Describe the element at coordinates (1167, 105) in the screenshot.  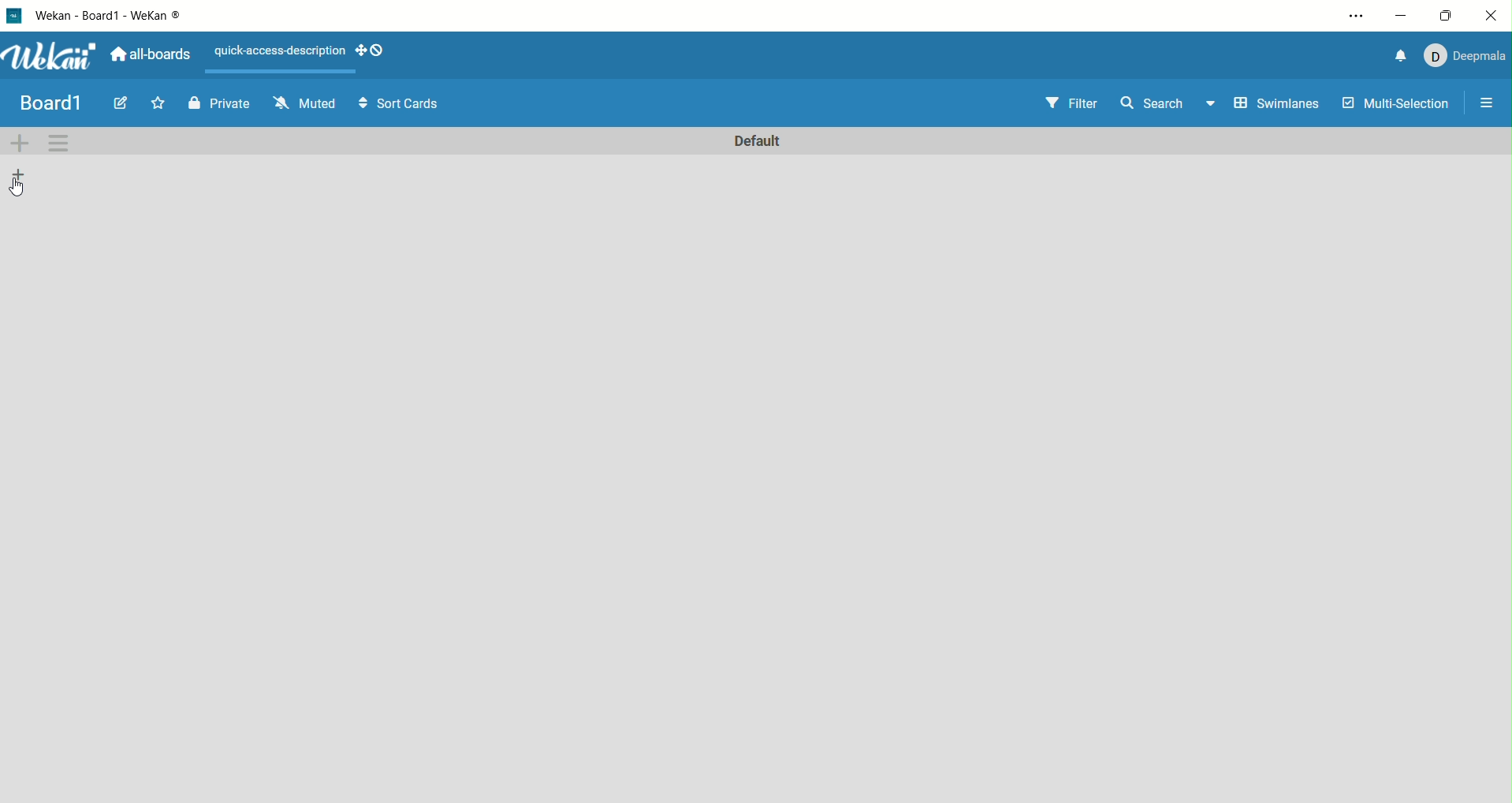
I see `search` at that location.